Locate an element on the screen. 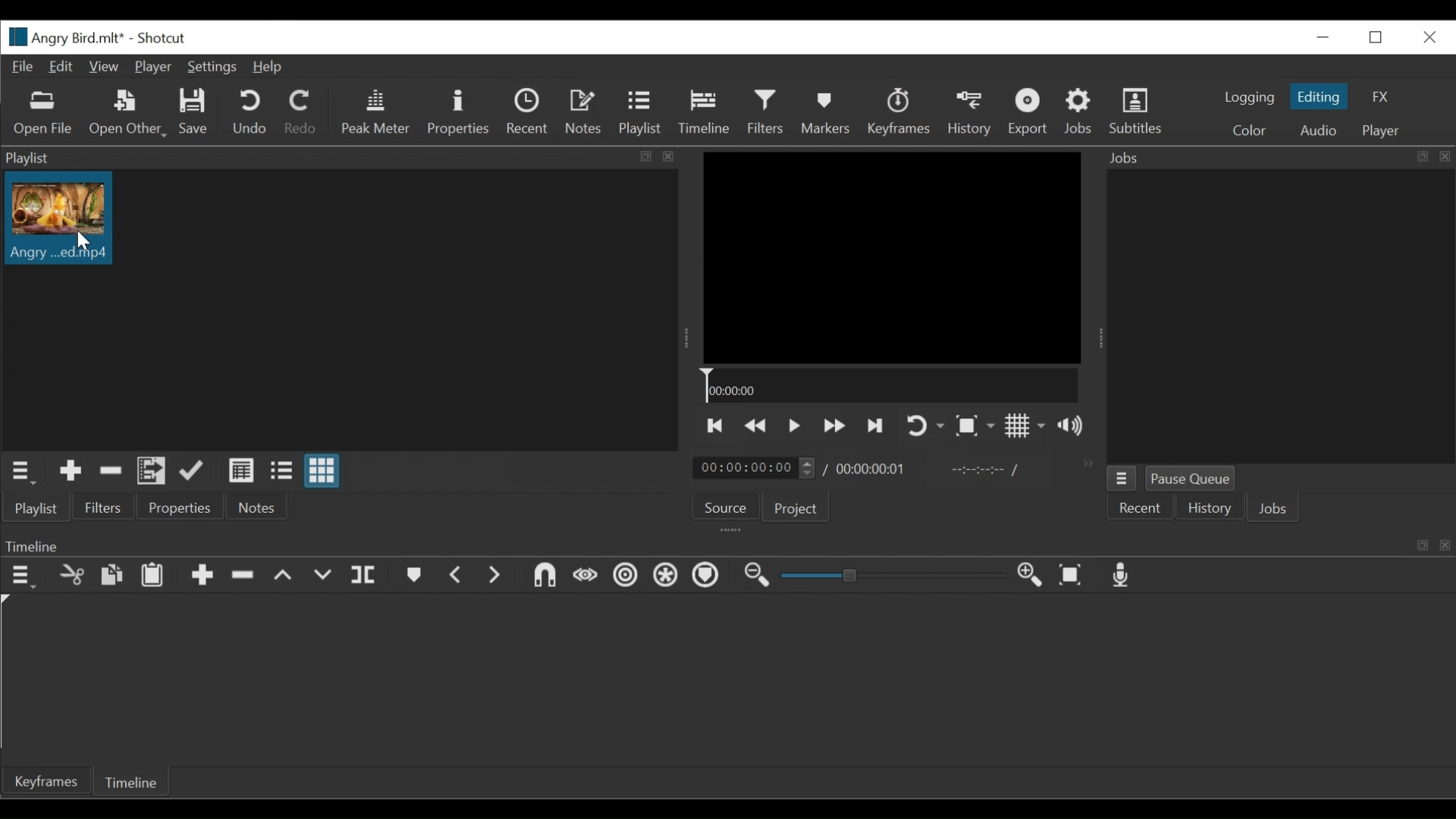 This screenshot has height=819, width=1456. Jobs is located at coordinates (1273, 510).